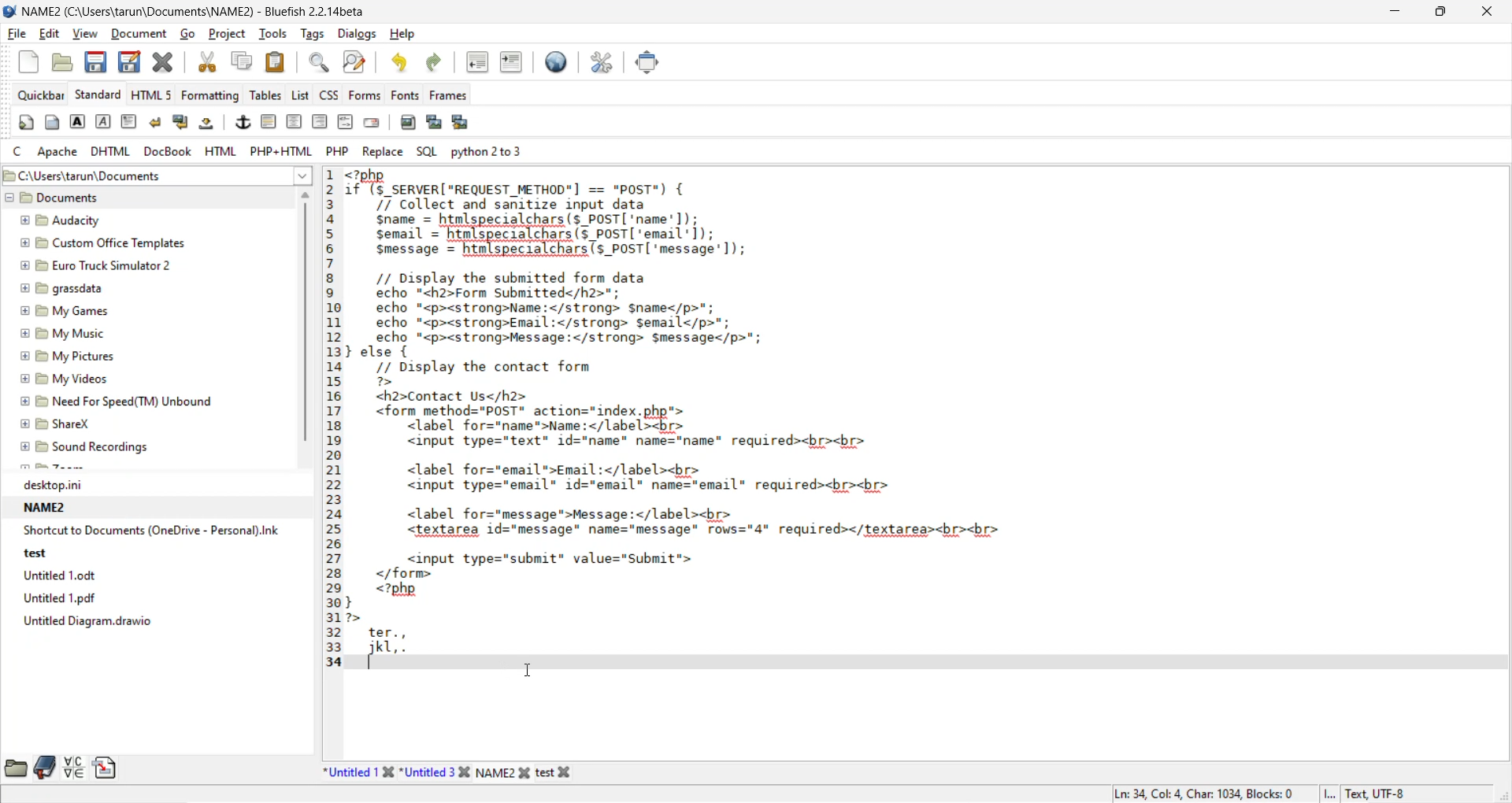 The image size is (1512, 803). I want to click on strong, so click(78, 122).